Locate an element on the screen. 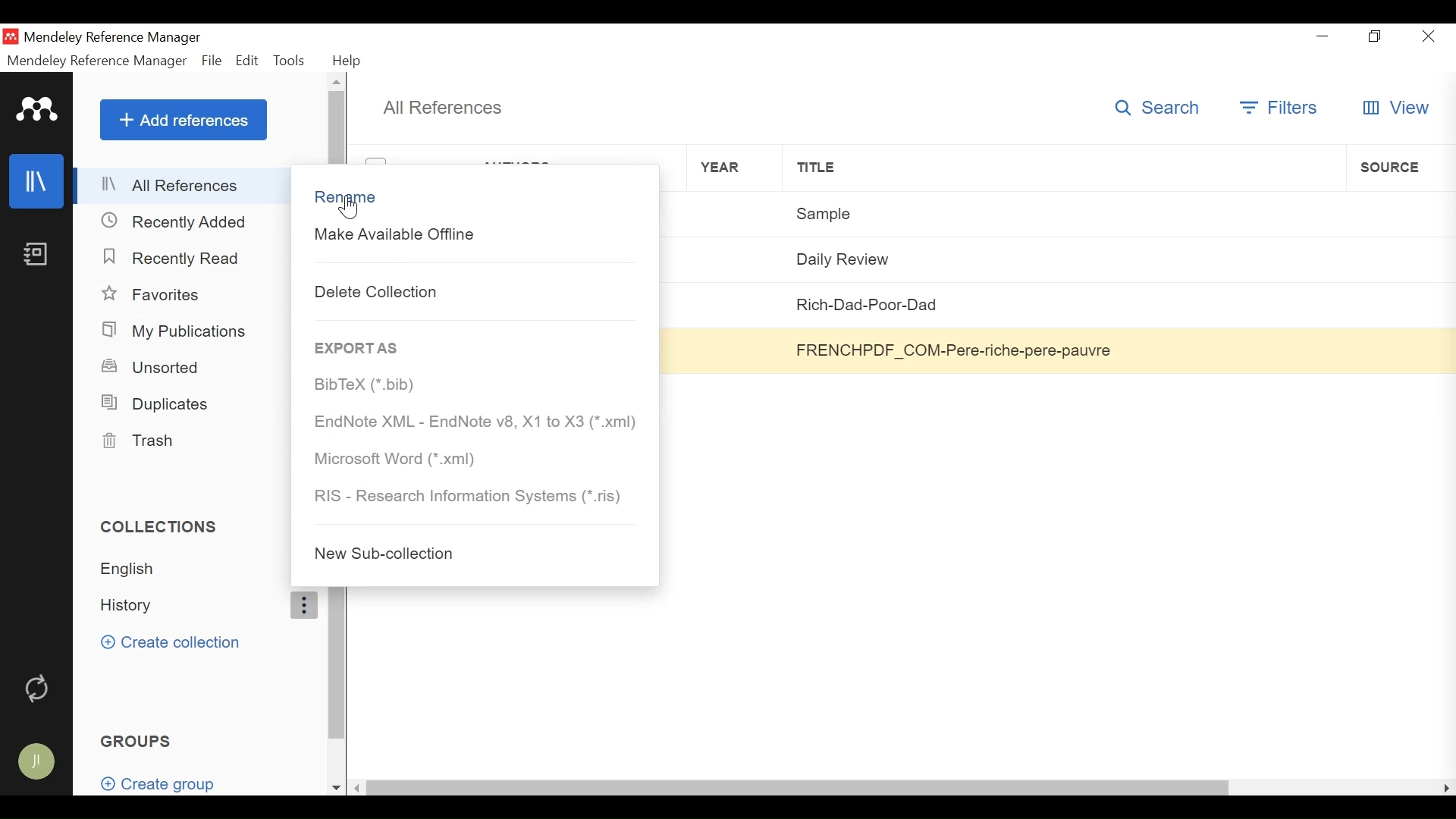 The image size is (1456, 819). Add References is located at coordinates (184, 119).